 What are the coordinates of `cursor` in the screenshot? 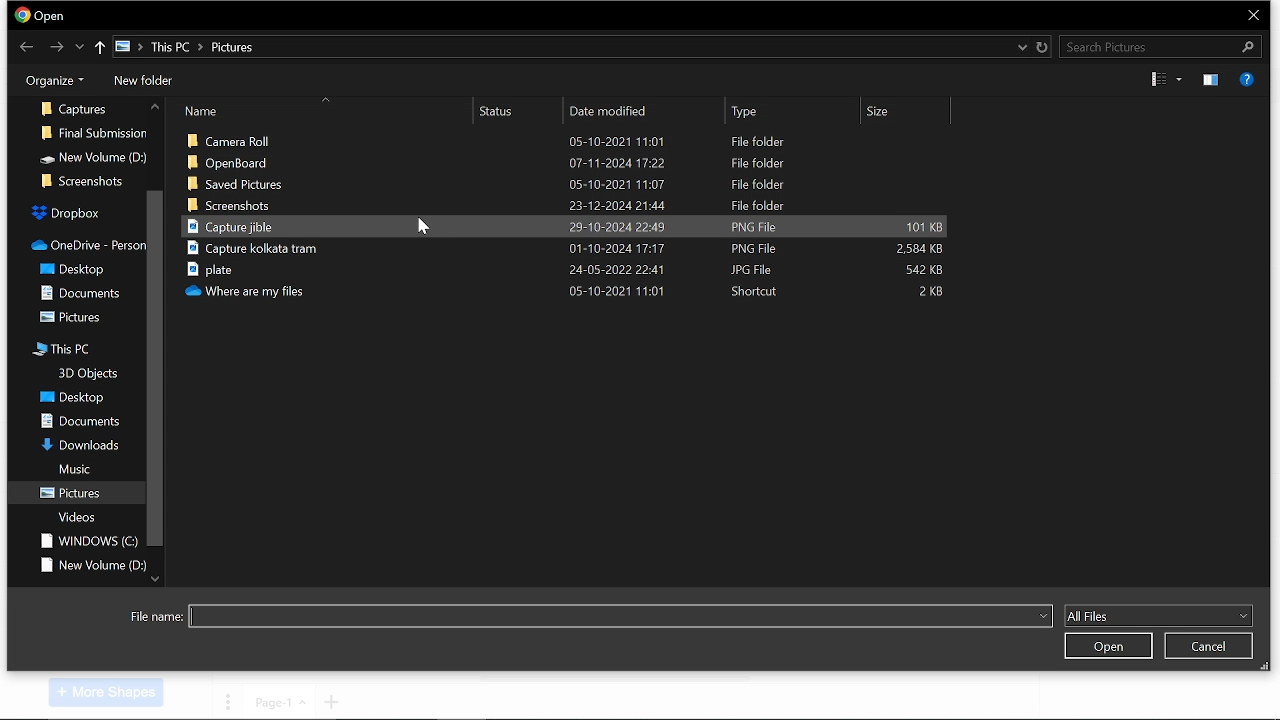 It's located at (424, 232).